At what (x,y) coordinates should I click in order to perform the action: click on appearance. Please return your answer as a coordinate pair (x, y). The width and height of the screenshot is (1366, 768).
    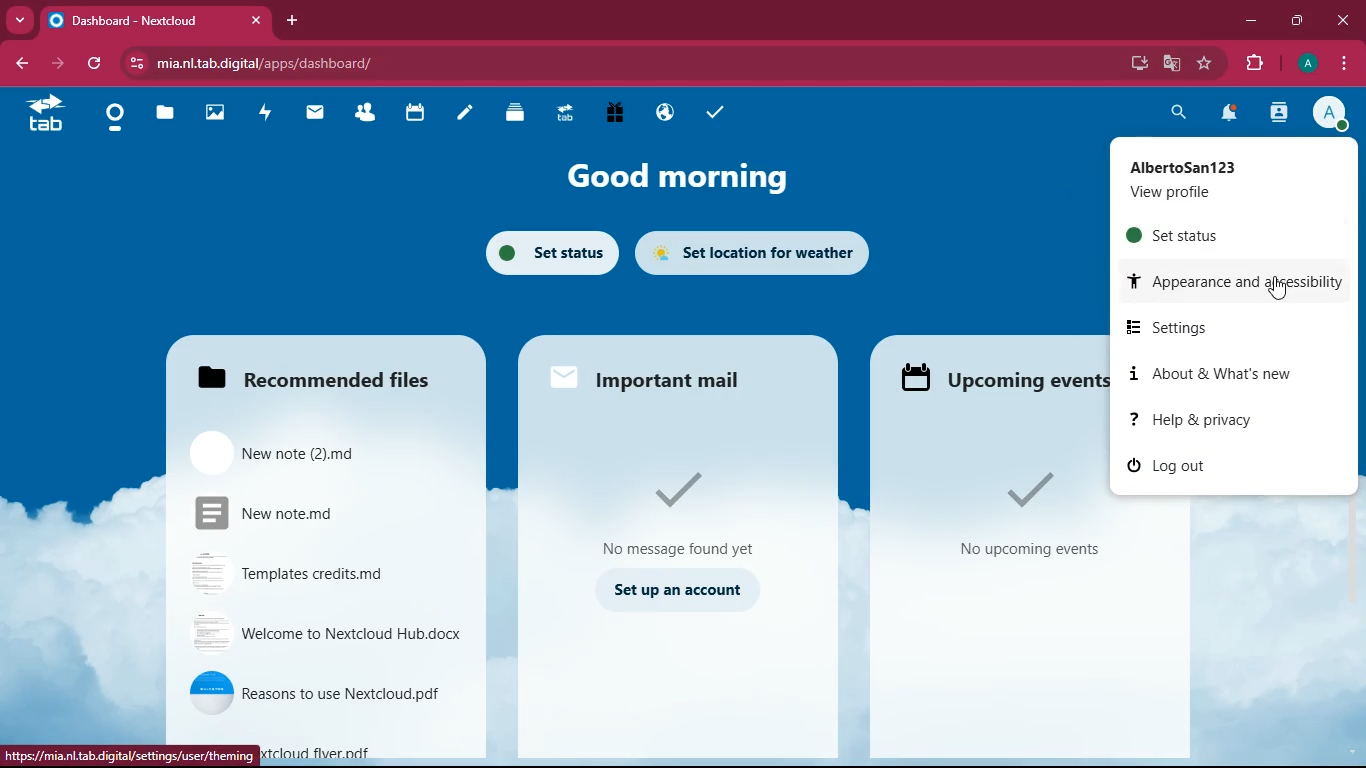
    Looking at the image, I should click on (1234, 278).